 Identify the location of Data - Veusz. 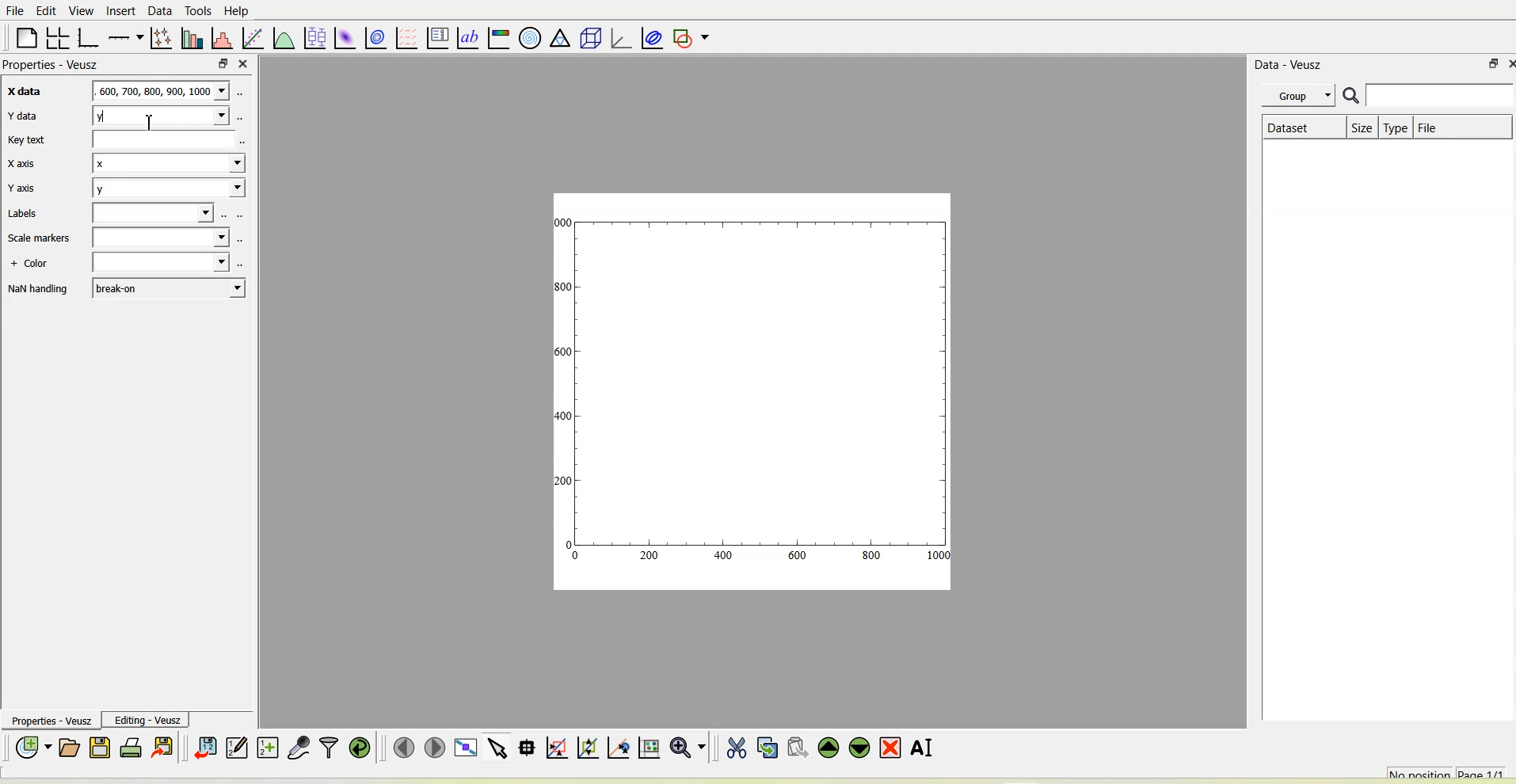
(1289, 63).